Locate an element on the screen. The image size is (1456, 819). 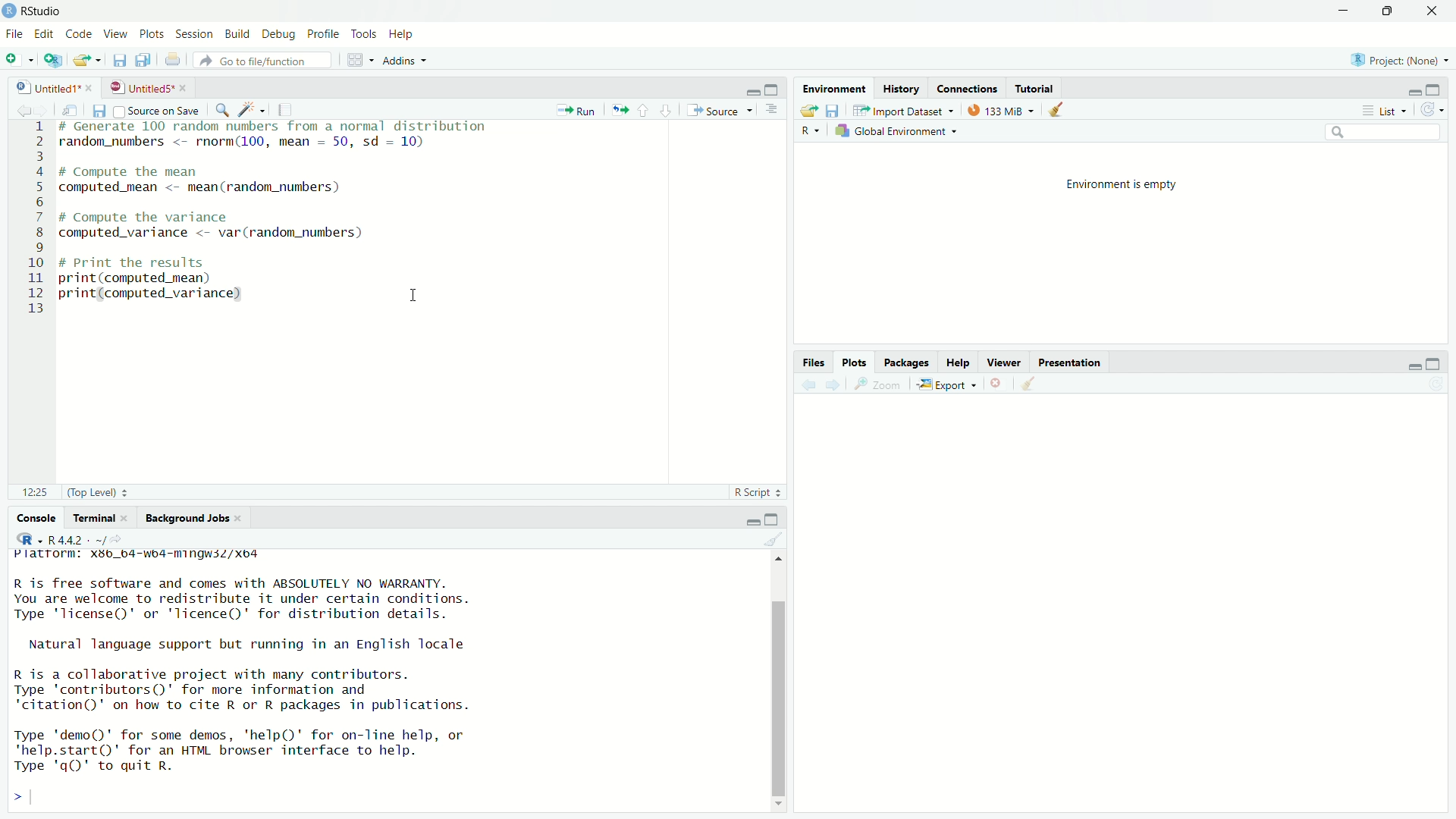
Natural language support but running in an English locale is located at coordinates (247, 644).